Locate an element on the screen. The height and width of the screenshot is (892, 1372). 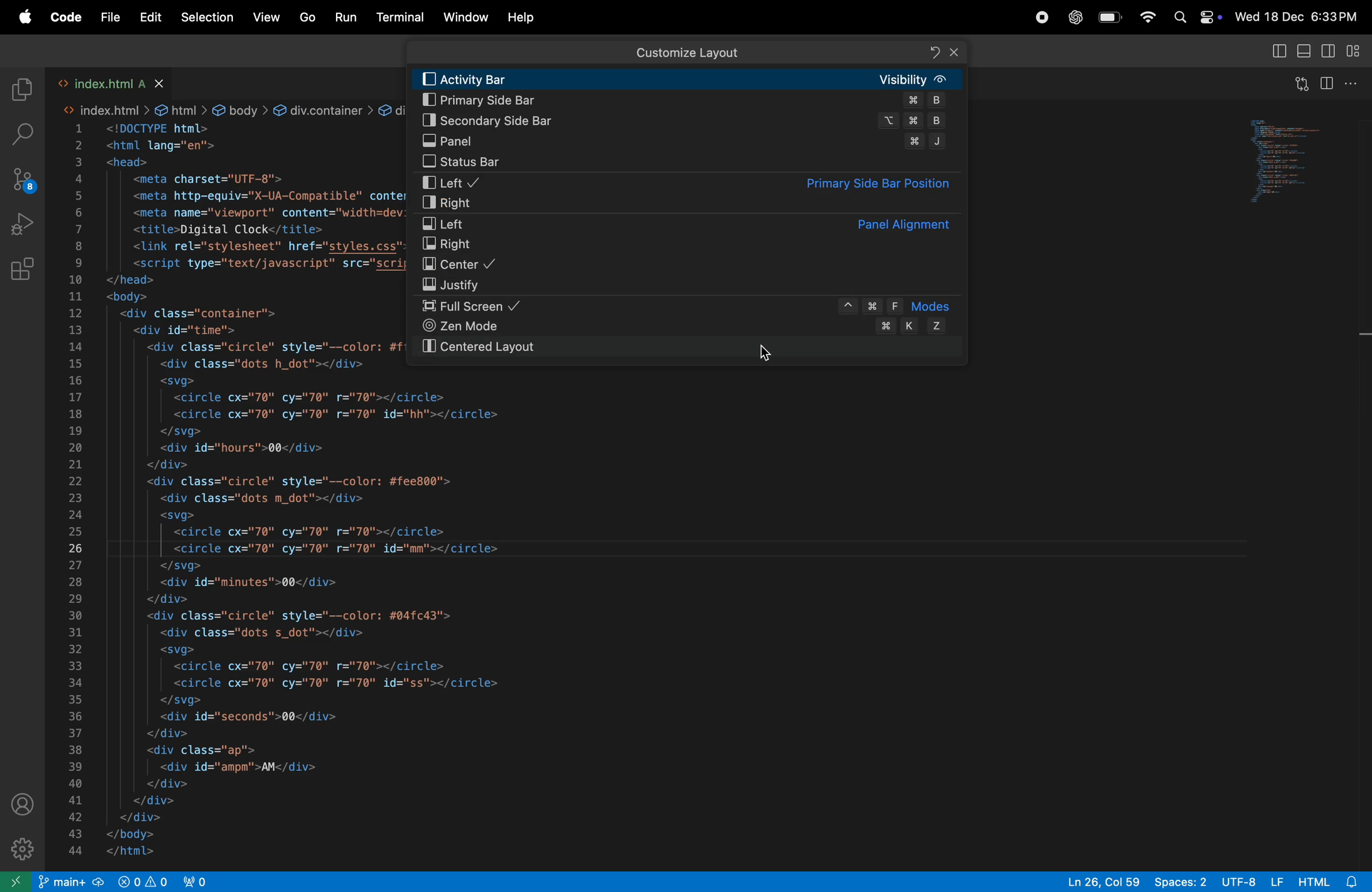
activity bar is located at coordinates (688, 78).